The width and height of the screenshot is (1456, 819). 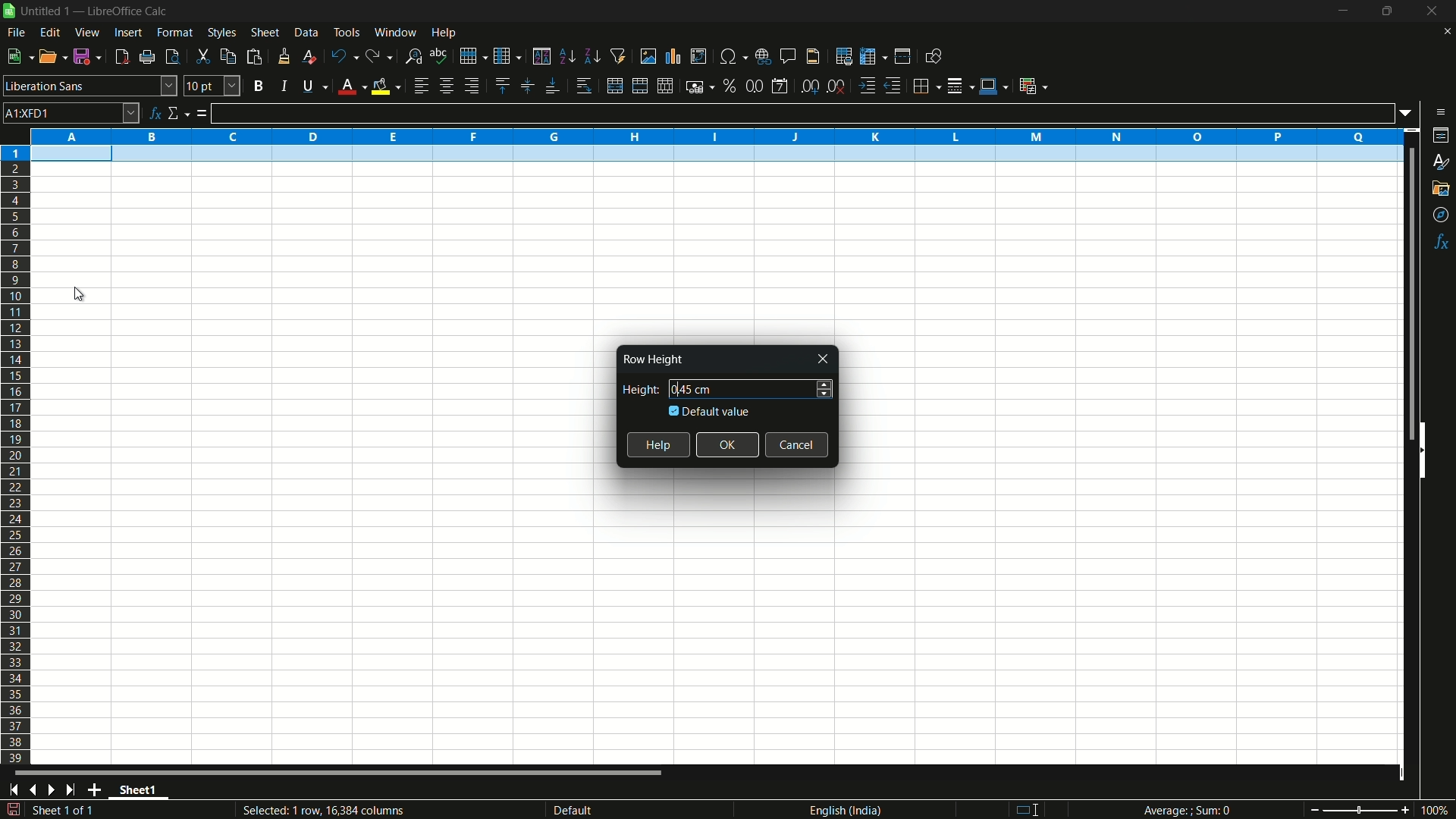 I want to click on data menu, so click(x=306, y=33).